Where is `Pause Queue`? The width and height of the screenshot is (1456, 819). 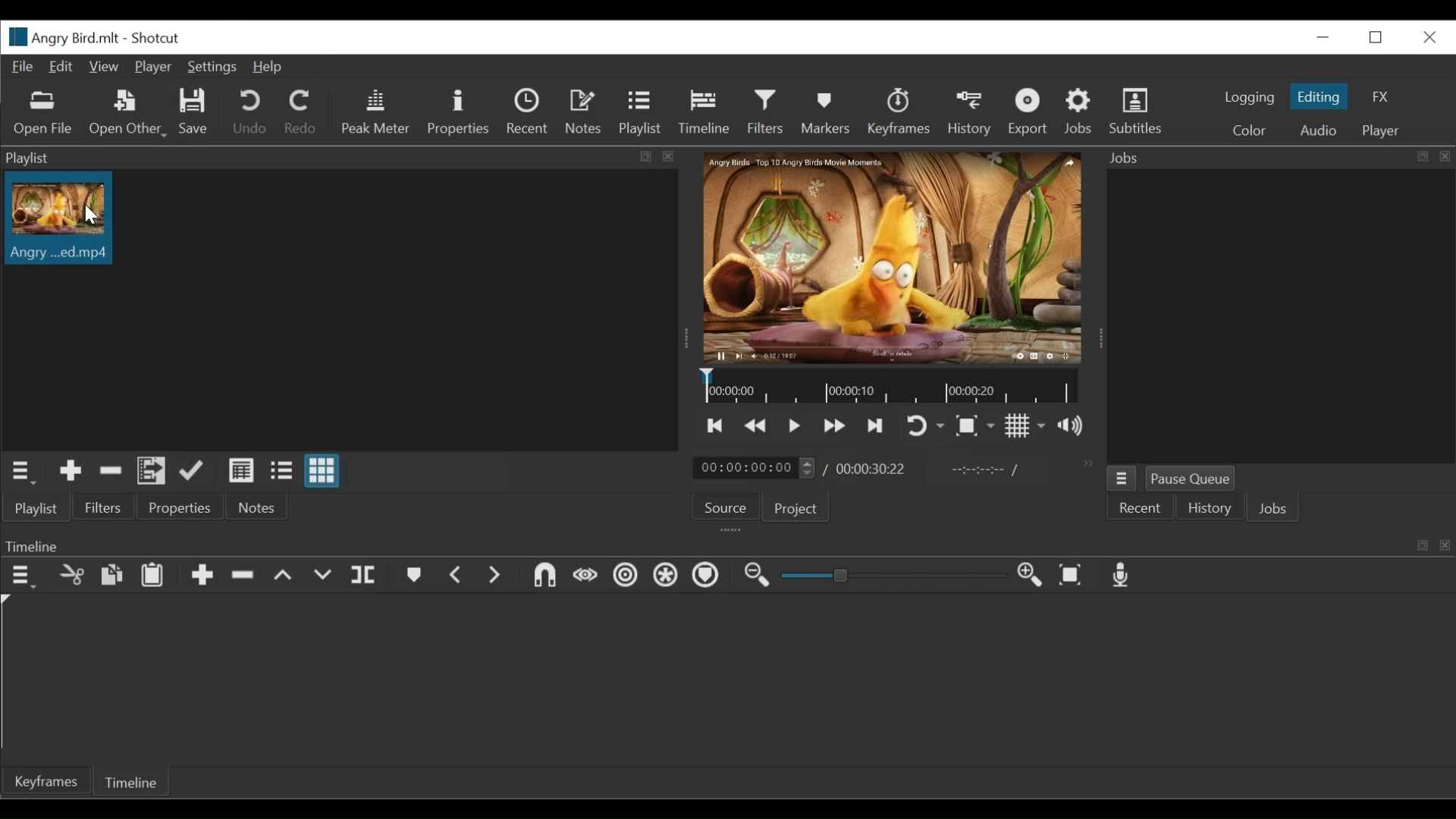
Pause Queue is located at coordinates (1194, 478).